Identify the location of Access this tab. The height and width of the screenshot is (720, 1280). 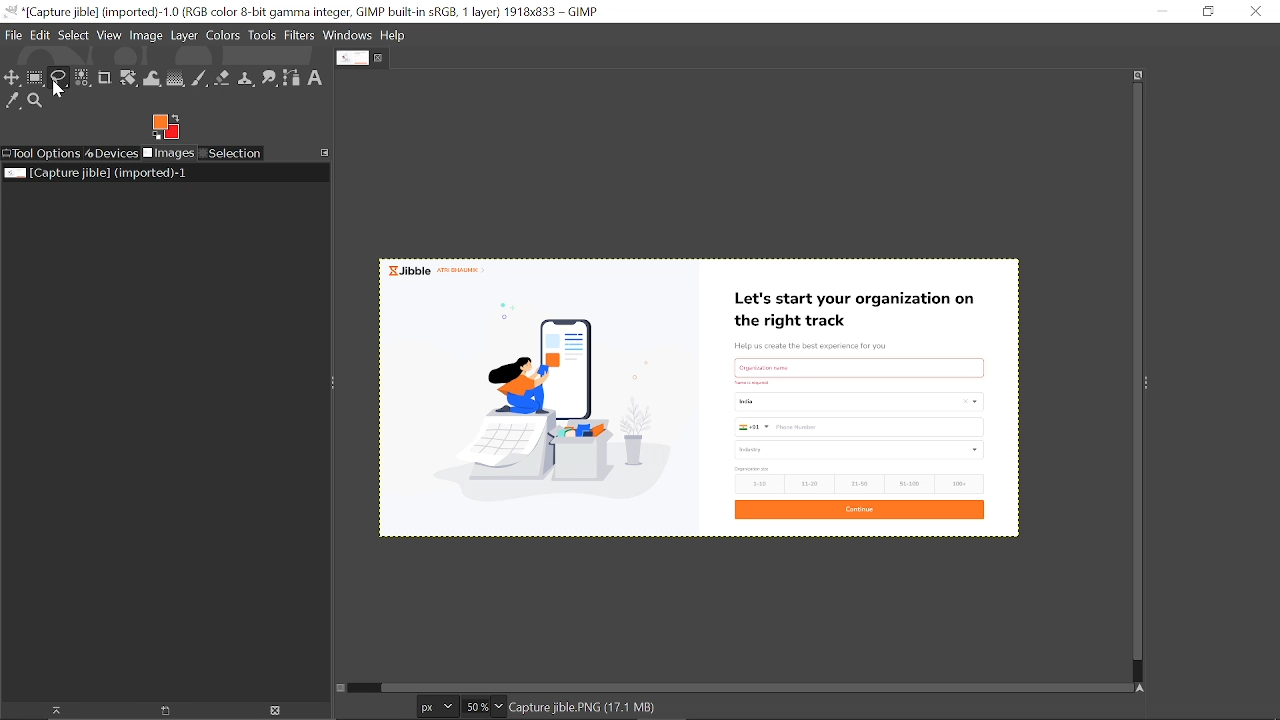
(326, 152).